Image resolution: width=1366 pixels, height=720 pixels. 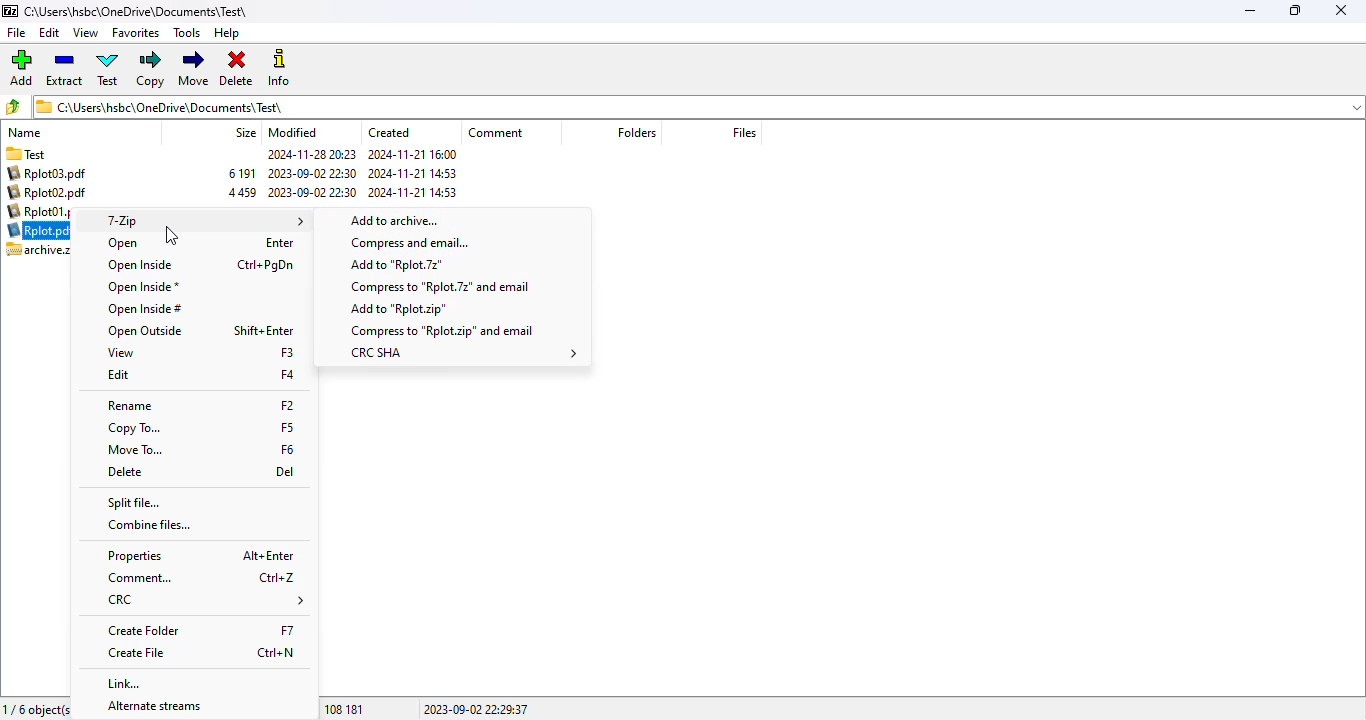 What do you see at coordinates (398, 264) in the screenshot?
I see `add to .7z file` at bounding box center [398, 264].